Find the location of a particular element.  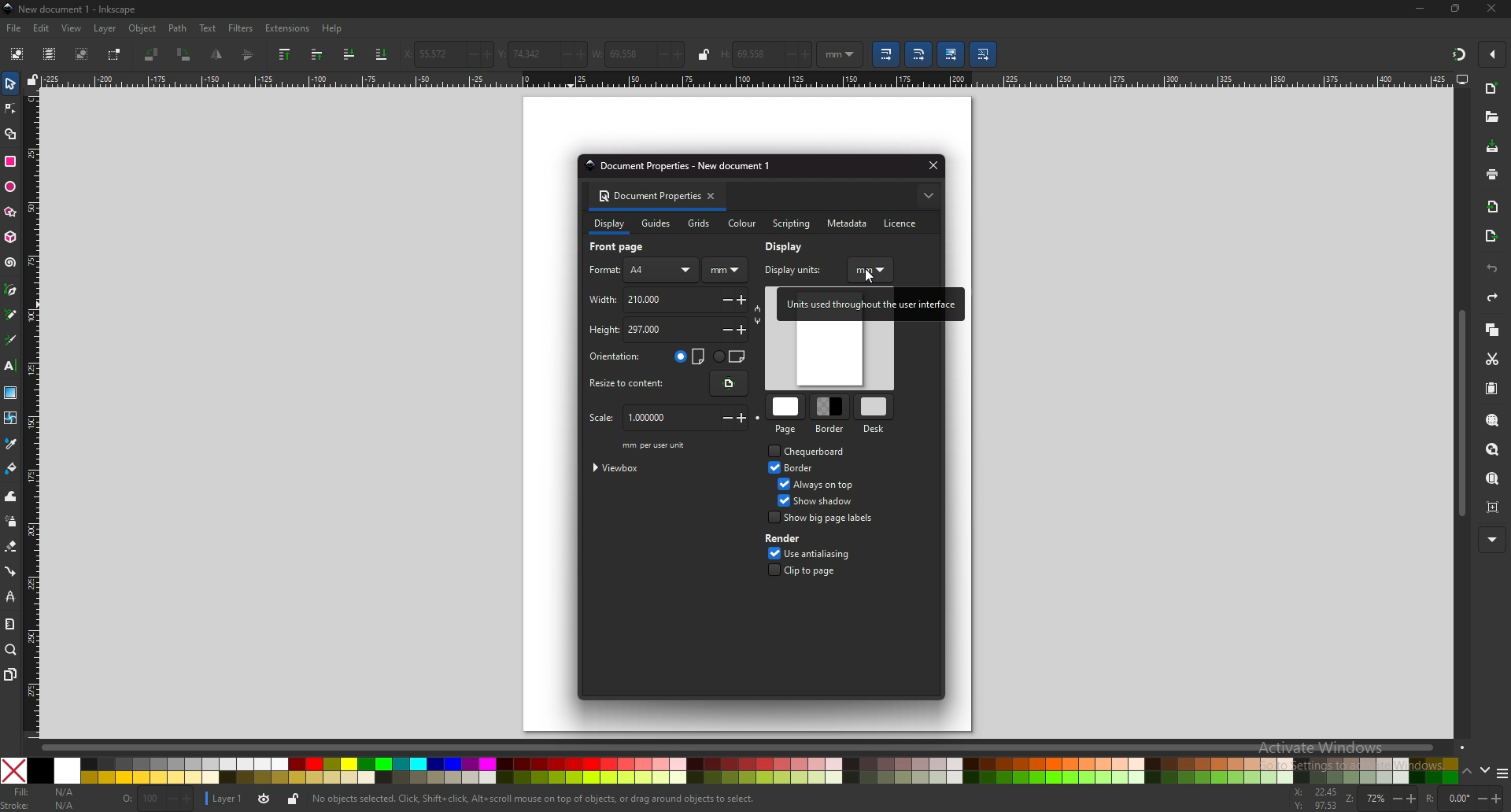

- is located at coordinates (465, 54).